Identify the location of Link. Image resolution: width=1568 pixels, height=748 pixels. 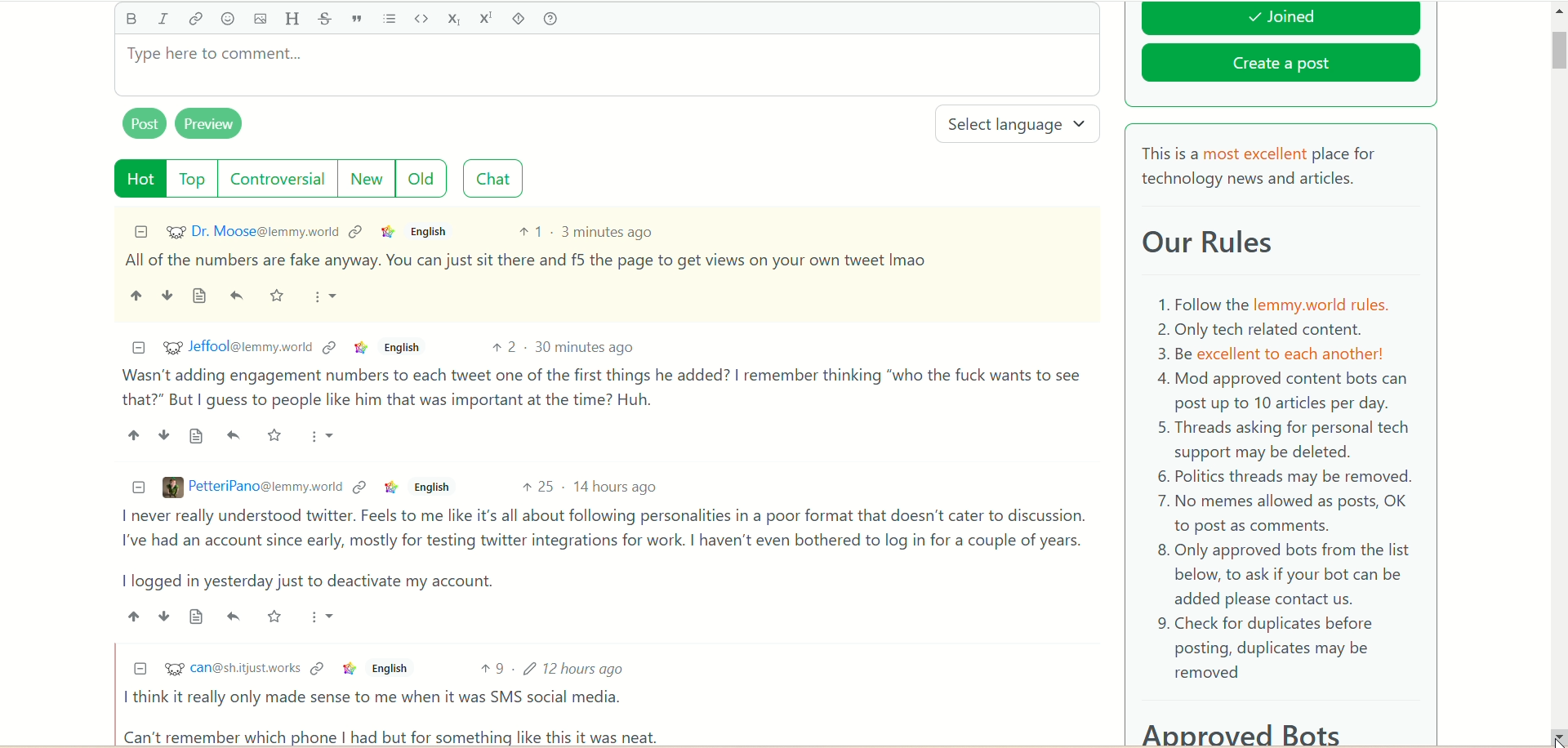
(361, 348).